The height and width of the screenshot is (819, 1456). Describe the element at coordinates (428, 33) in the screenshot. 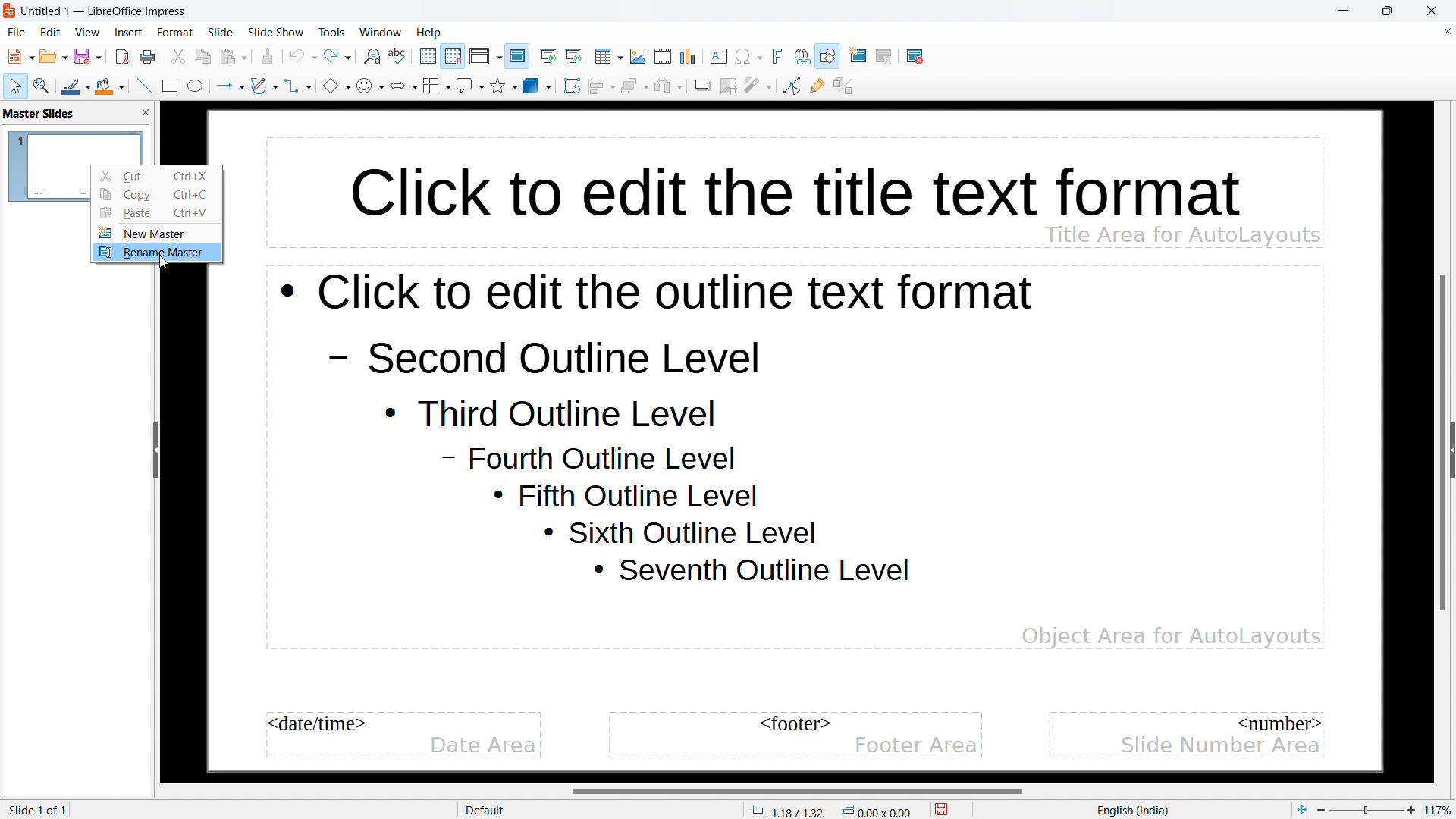

I see `help` at that location.